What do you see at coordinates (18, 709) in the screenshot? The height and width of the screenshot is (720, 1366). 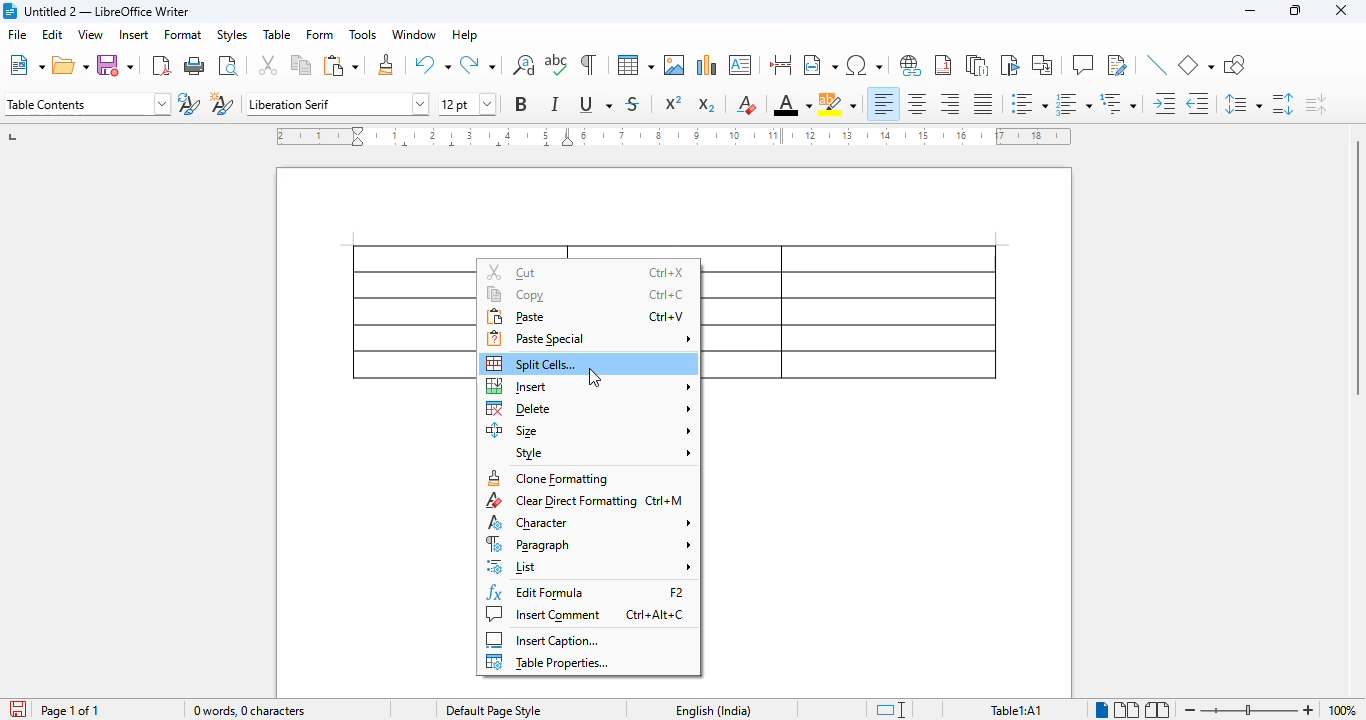 I see `click to save the document` at bounding box center [18, 709].